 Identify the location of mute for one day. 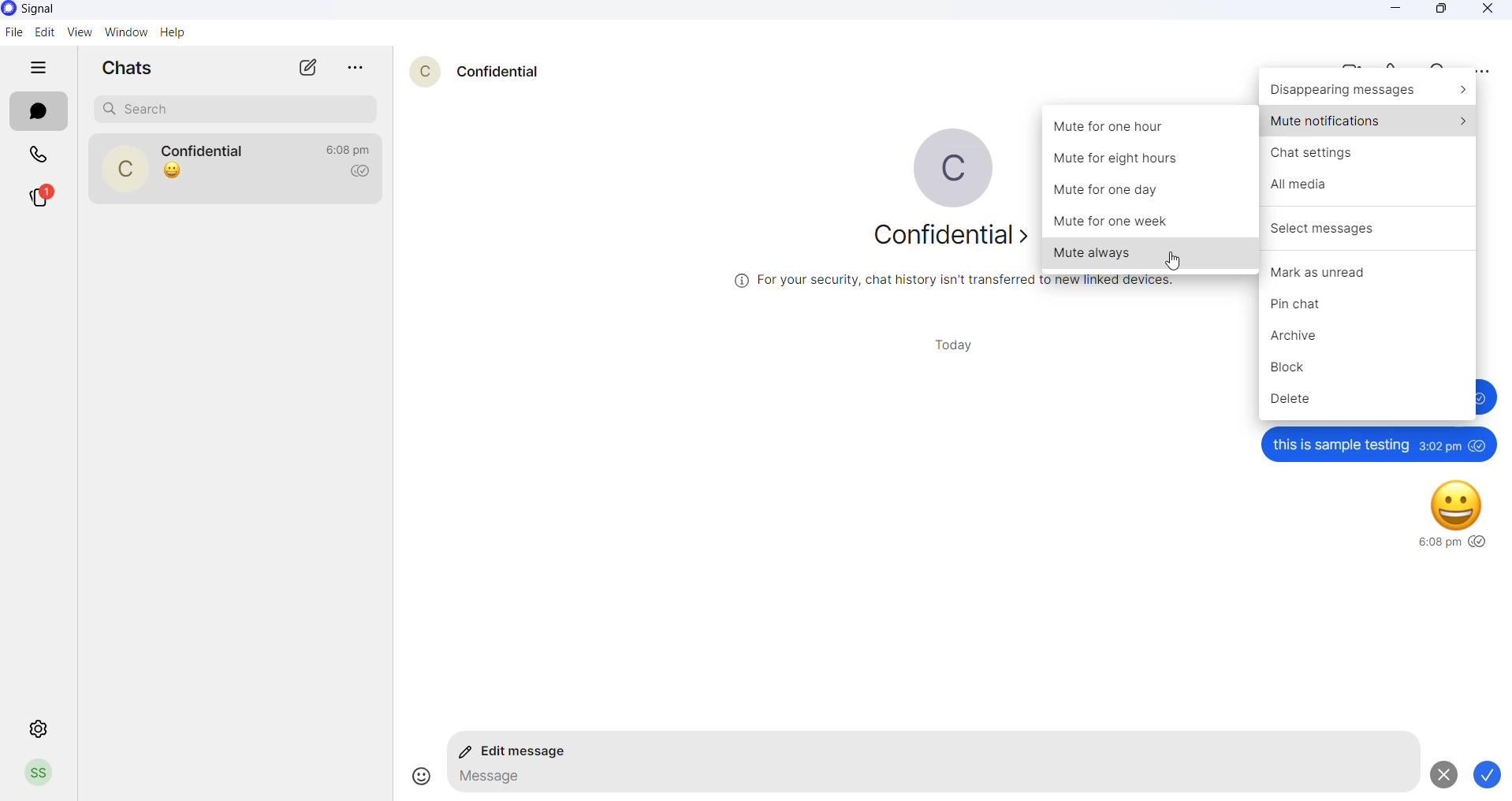
(1153, 192).